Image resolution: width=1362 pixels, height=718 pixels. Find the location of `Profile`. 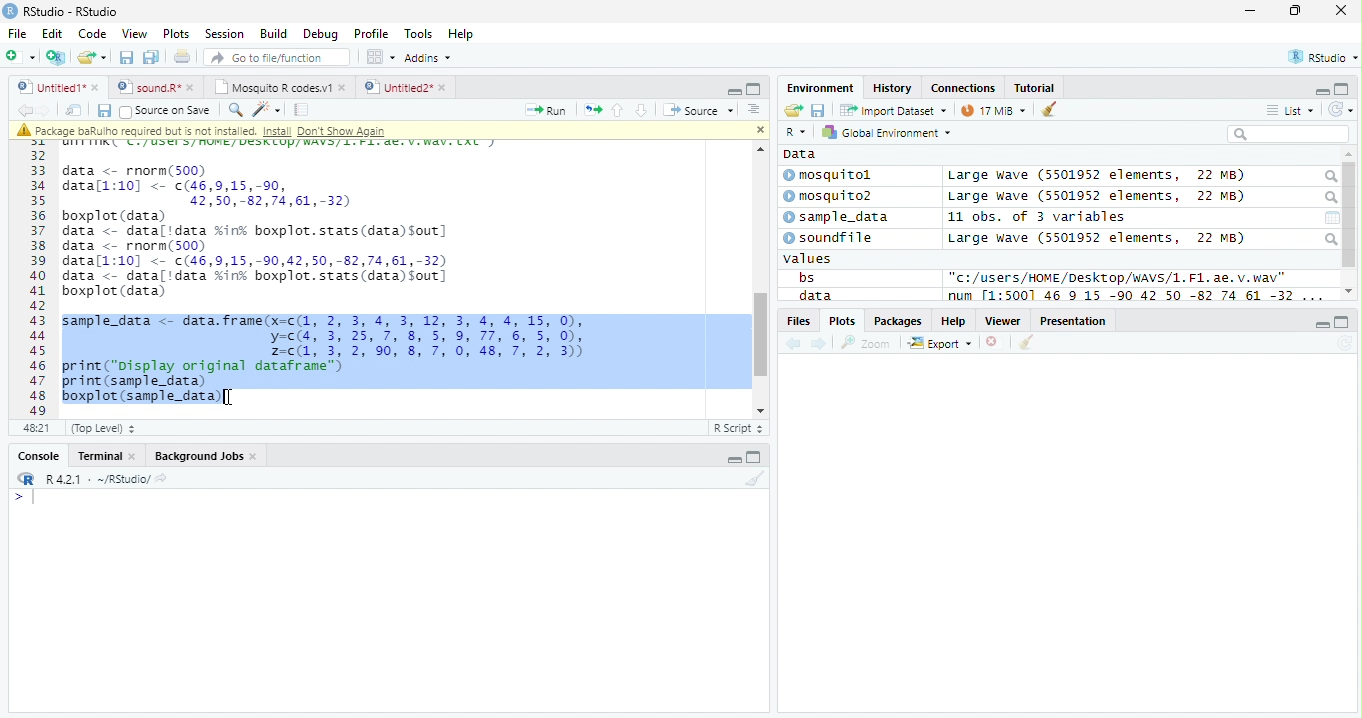

Profile is located at coordinates (371, 33).